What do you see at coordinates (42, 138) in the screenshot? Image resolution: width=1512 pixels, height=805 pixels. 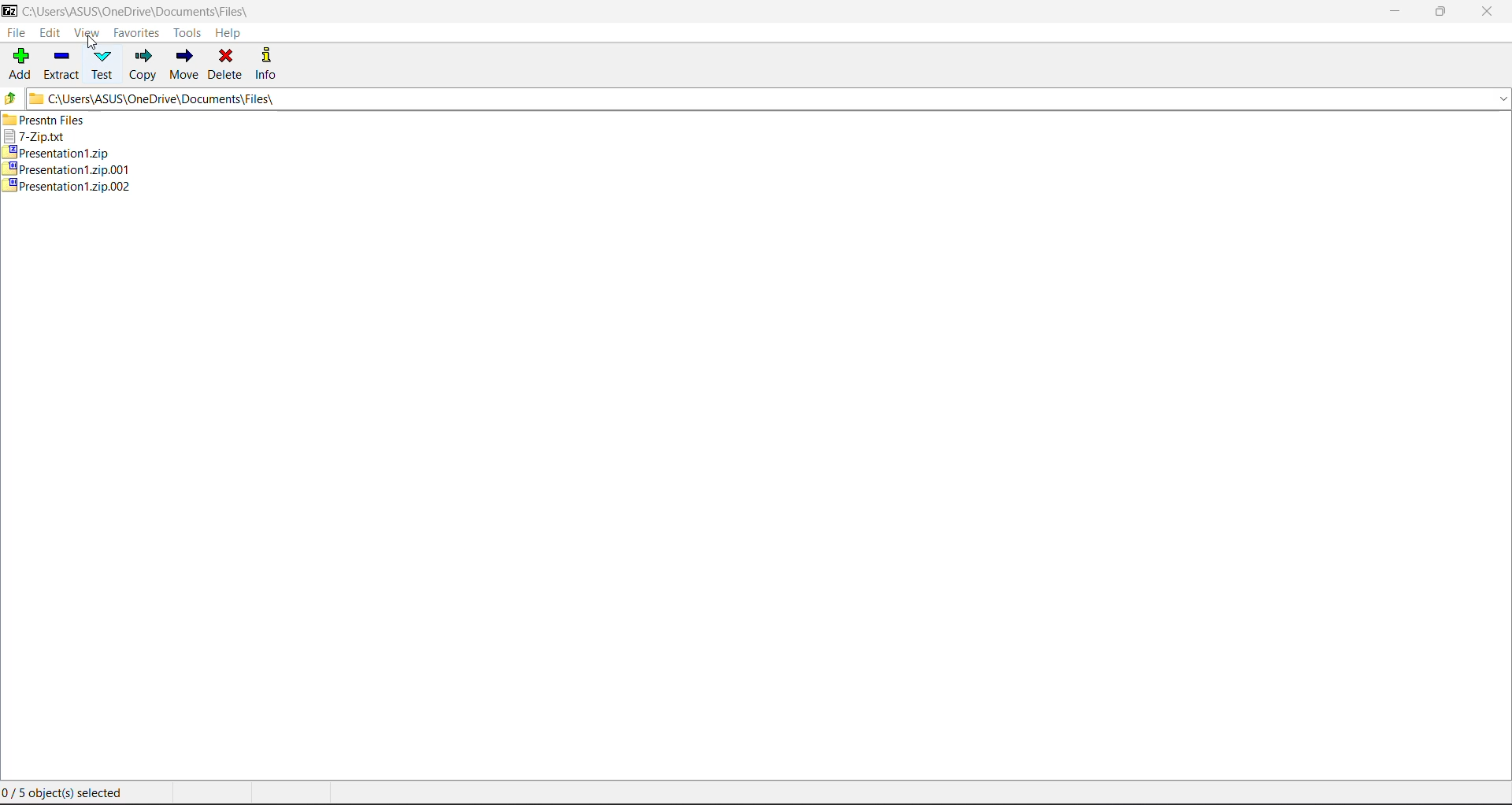 I see `7-Zip.txt` at bounding box center [42, 138].